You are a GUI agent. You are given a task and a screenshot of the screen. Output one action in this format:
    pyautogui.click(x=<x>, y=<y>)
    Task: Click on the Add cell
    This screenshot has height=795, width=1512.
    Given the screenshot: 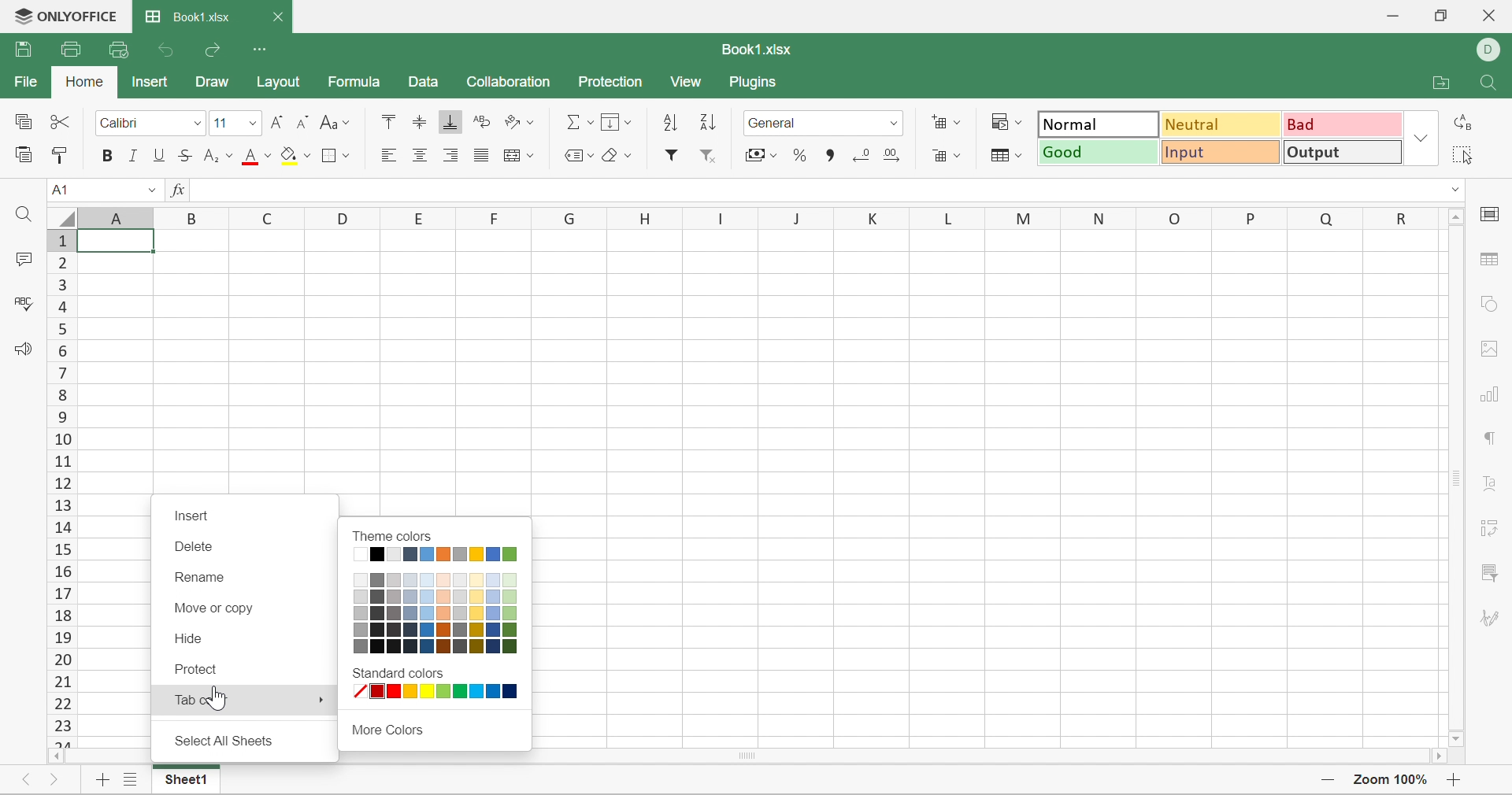 What is the action you would take?
    pyautogui.click(x=944, y=122)
    